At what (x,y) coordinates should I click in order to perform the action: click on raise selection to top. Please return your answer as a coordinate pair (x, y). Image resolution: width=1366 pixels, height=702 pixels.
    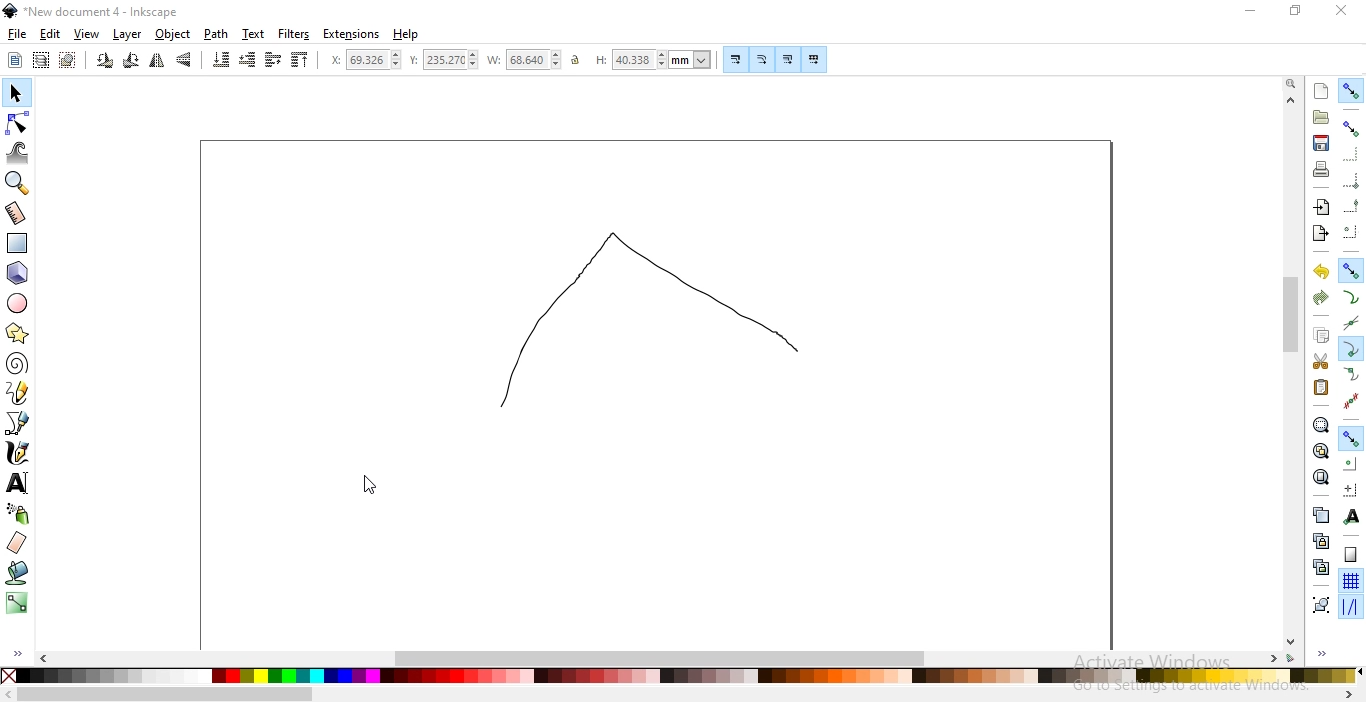
    Looking at the image, I should click on (300, 59).